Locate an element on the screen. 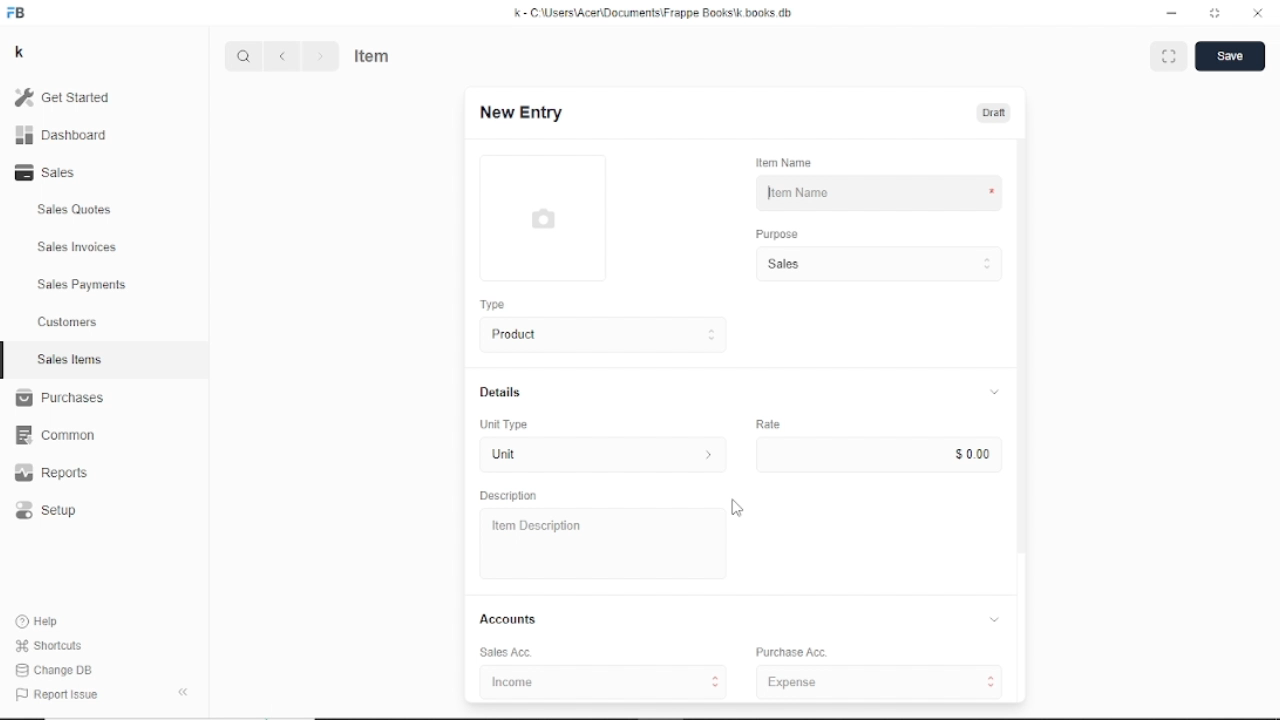 The width and height of the screenshot is (1280, 720). Previous is located at coordinates (282, 56).